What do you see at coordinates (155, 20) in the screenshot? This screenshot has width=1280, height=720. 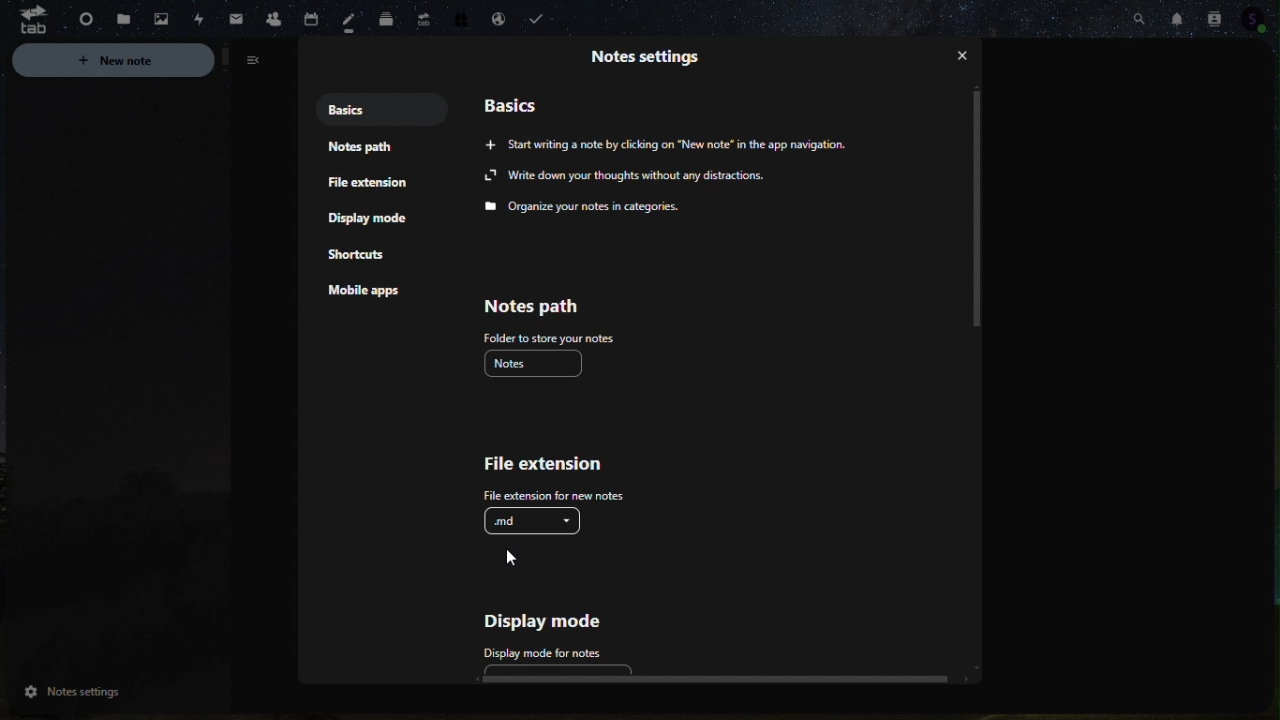 I see `Photo` at bounding box center [155, 20].